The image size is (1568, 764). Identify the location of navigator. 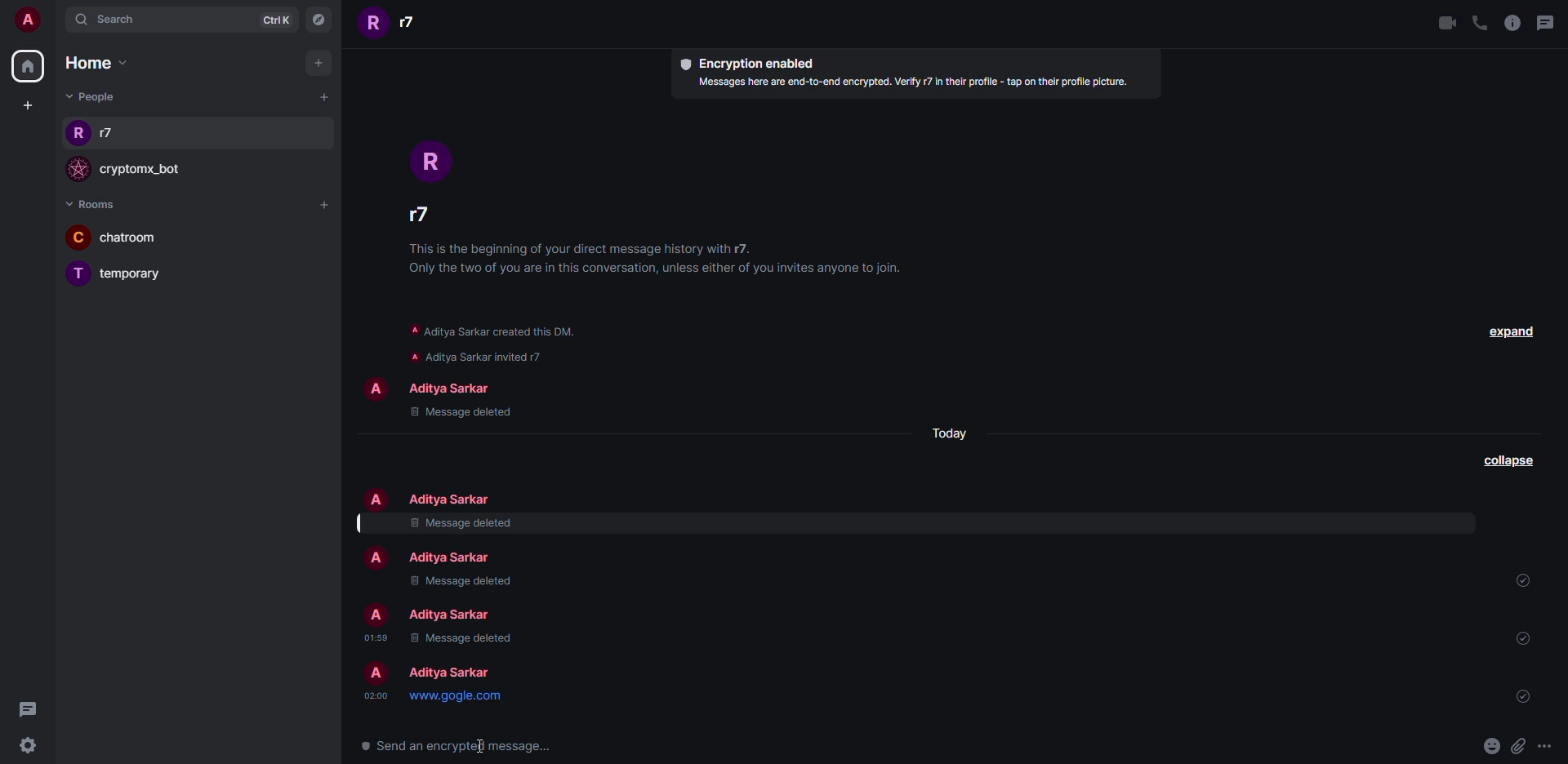
(322, 20).